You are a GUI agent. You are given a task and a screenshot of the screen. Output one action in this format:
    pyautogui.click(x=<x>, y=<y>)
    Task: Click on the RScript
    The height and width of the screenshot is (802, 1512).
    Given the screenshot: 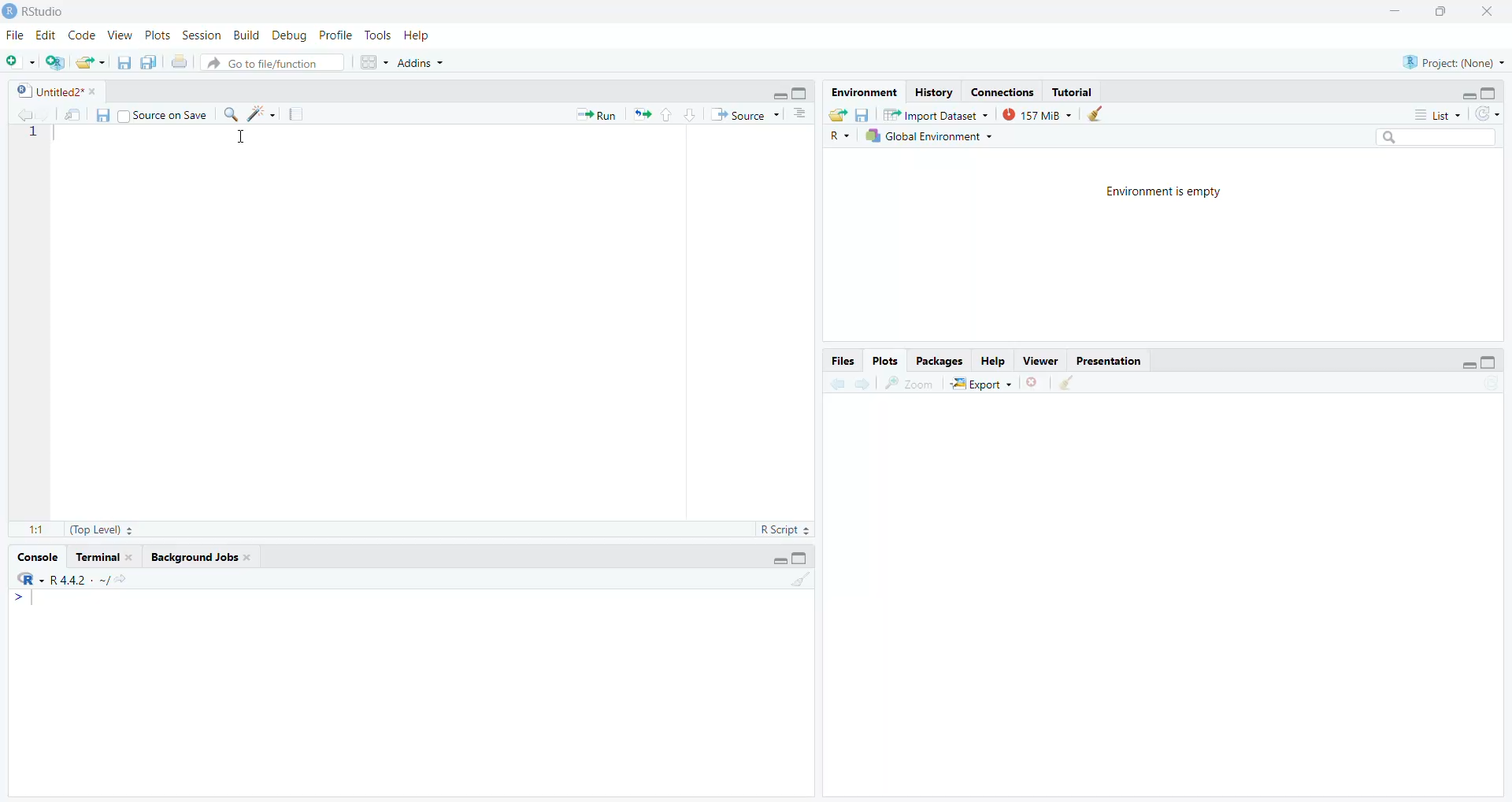 What is the action you would take?
    pyautogui.click(x=784, y=528)
    